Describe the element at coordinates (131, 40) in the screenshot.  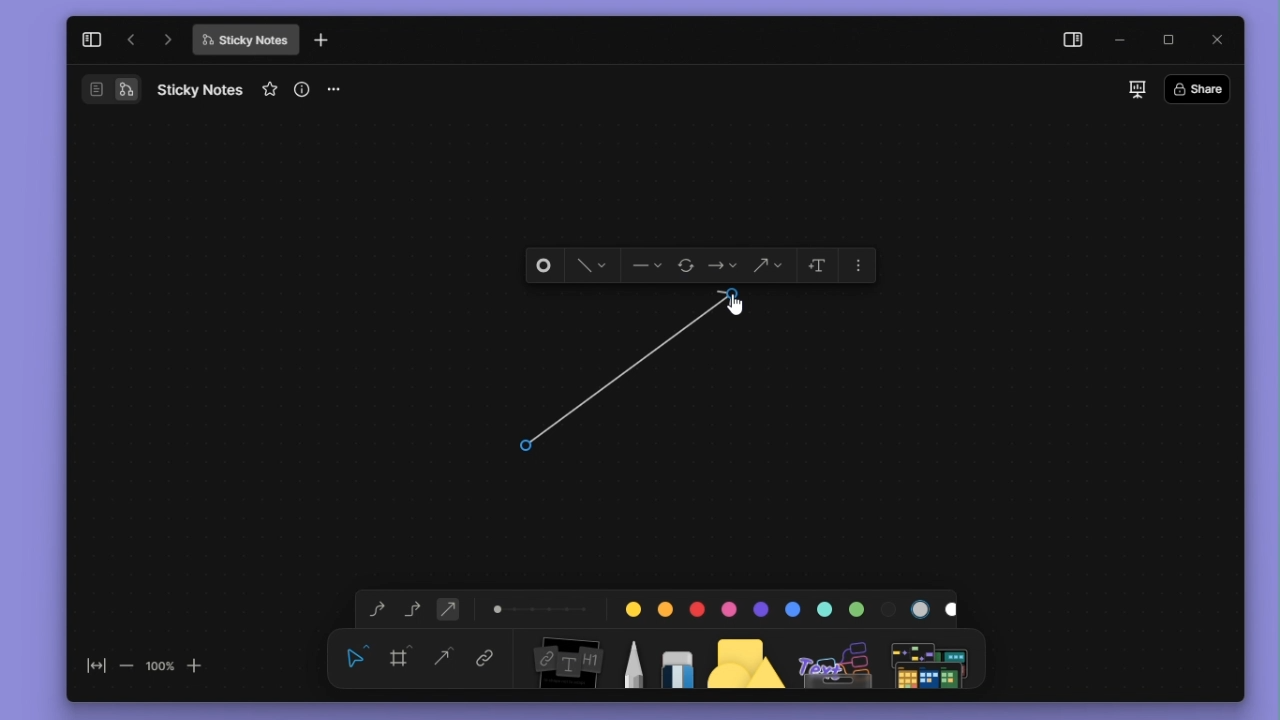
I see `go back` at that location.